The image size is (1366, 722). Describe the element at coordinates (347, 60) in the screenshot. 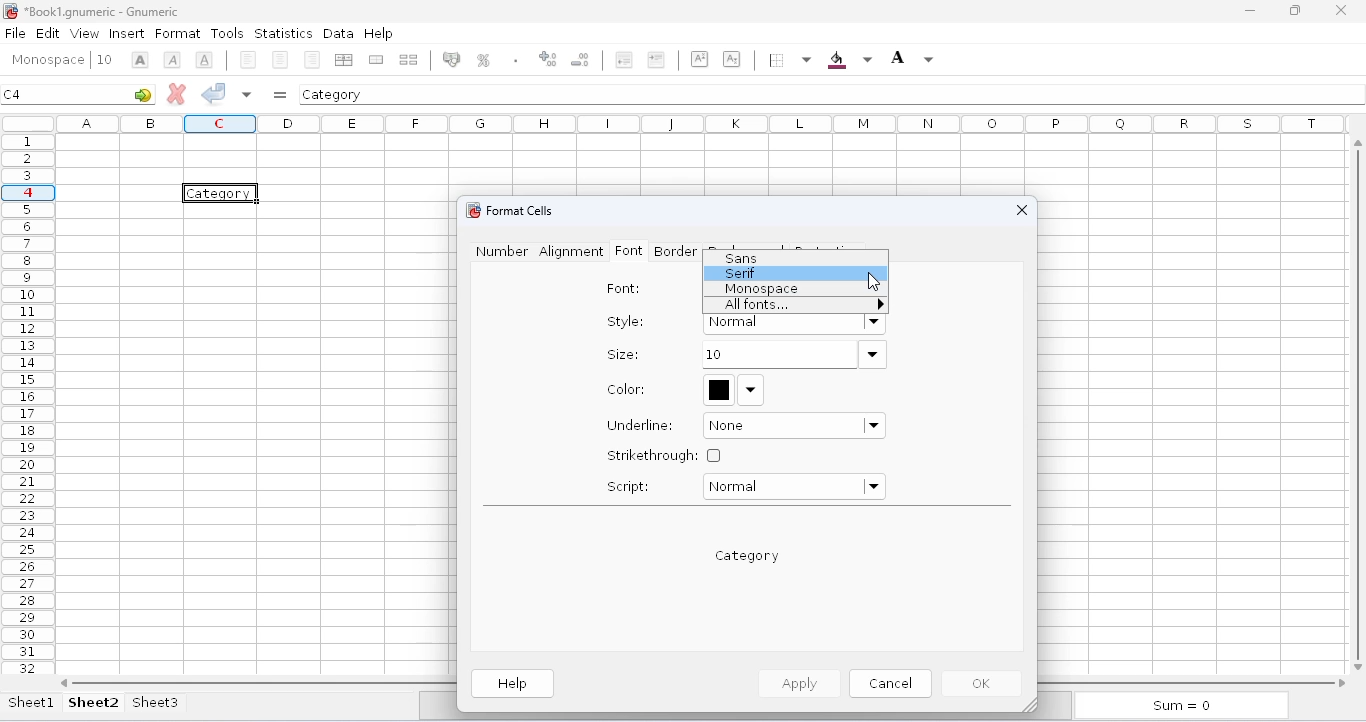

I see `center horizontally across the selection` at that location.